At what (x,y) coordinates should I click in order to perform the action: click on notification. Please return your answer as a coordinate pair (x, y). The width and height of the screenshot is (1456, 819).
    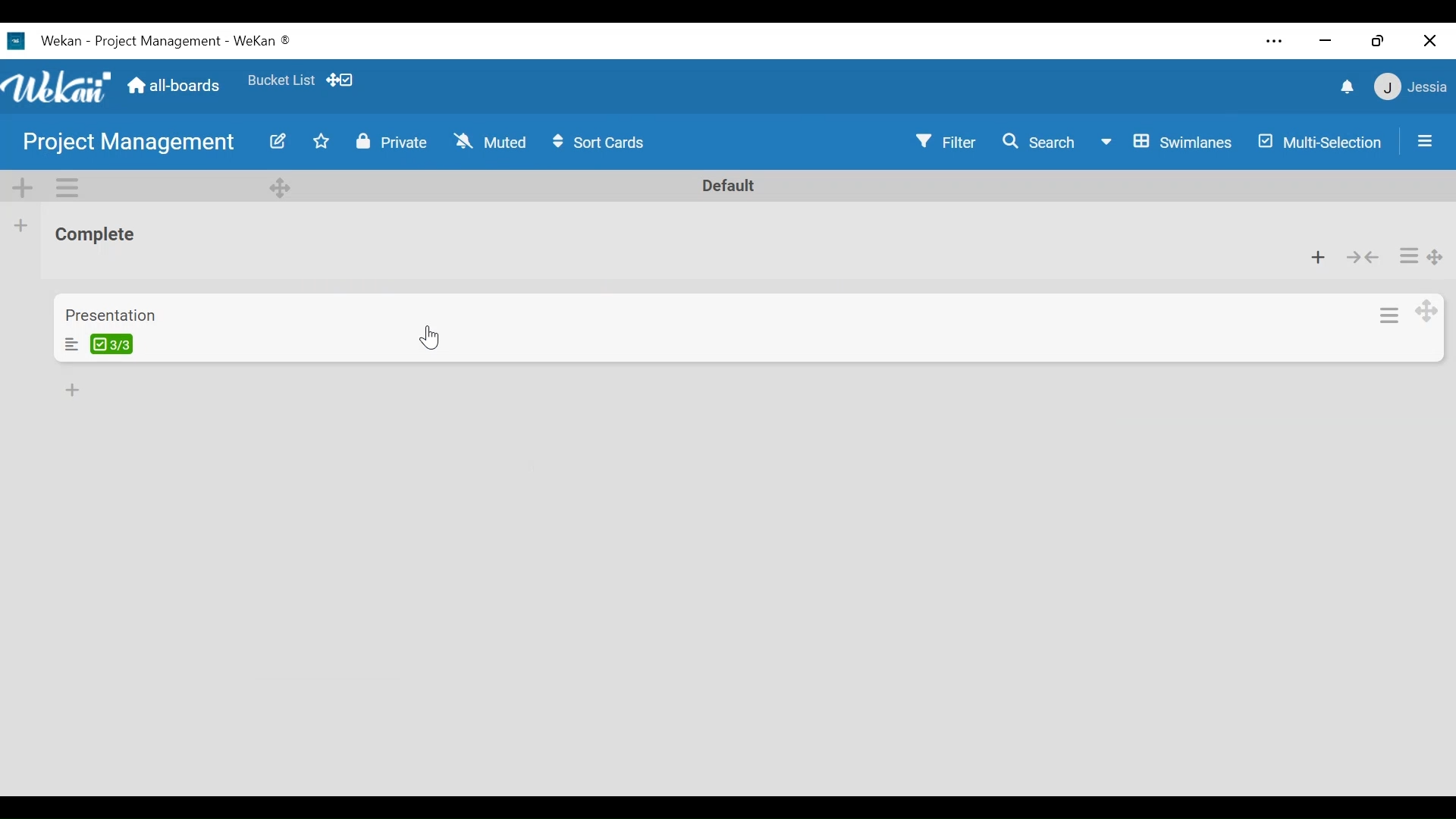
    Looking at the image, I should click on (1349, 88).